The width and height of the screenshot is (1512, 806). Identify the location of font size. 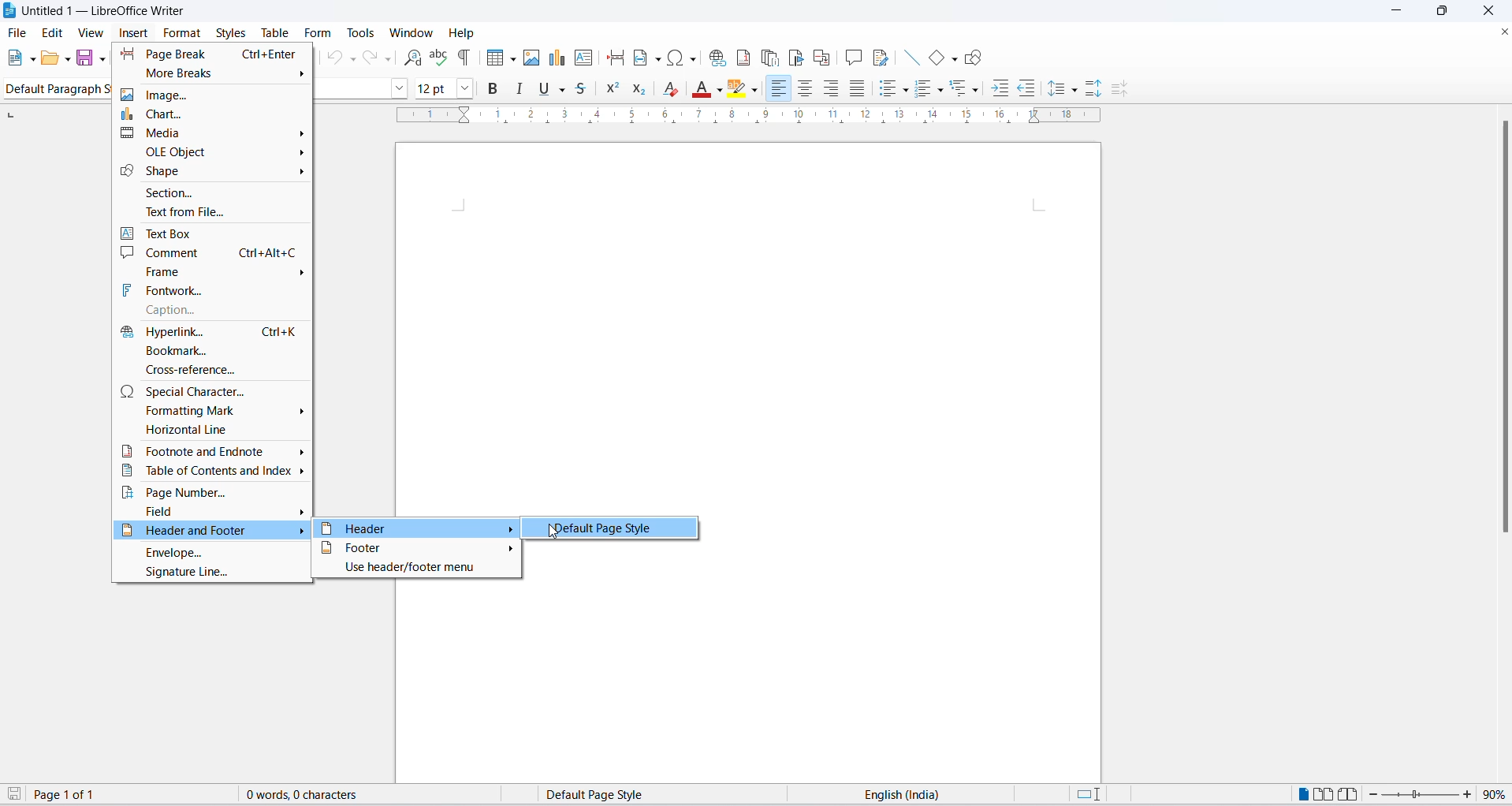
(435, 88).